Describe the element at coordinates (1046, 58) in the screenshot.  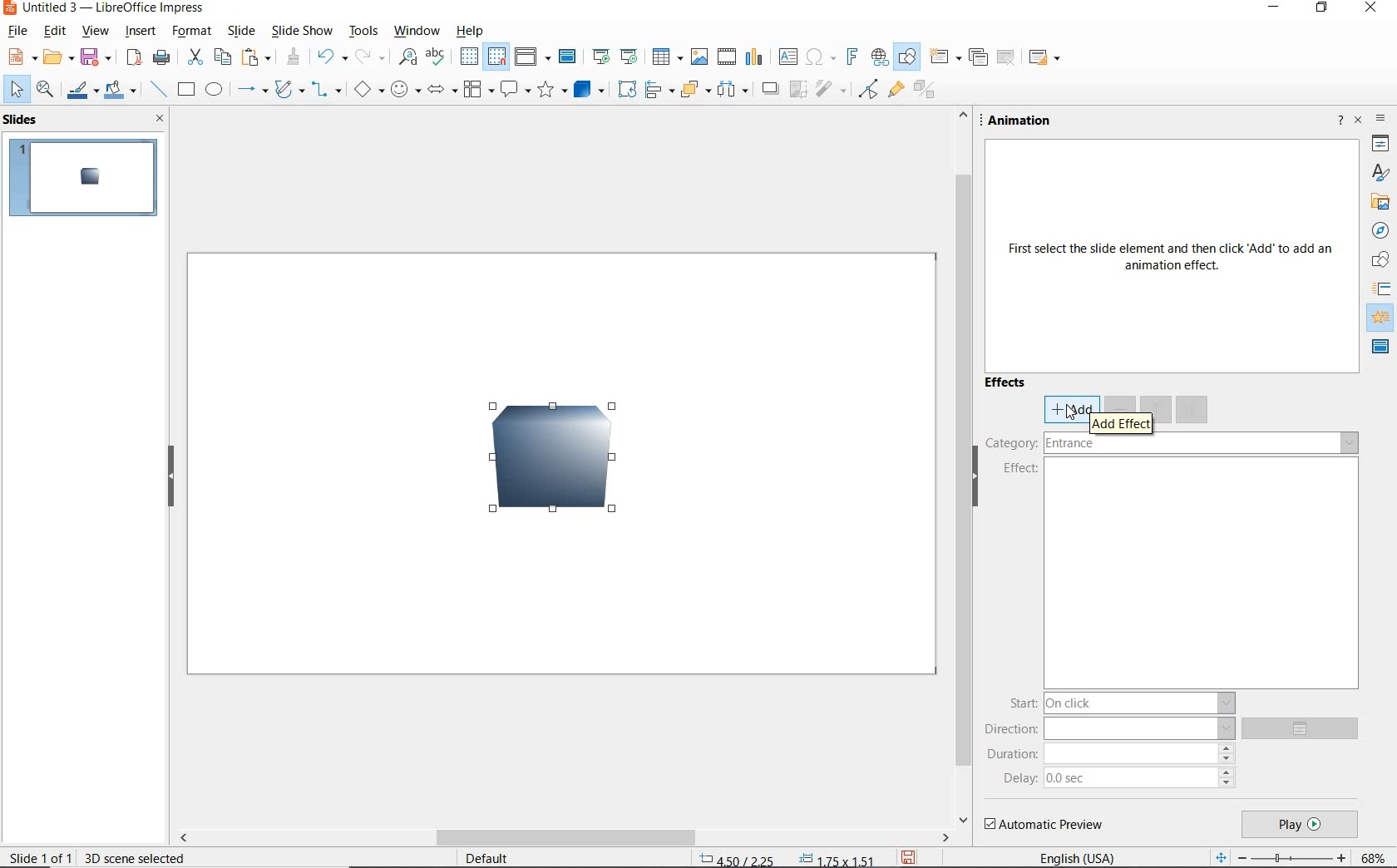
I see `slide layout` at that location.